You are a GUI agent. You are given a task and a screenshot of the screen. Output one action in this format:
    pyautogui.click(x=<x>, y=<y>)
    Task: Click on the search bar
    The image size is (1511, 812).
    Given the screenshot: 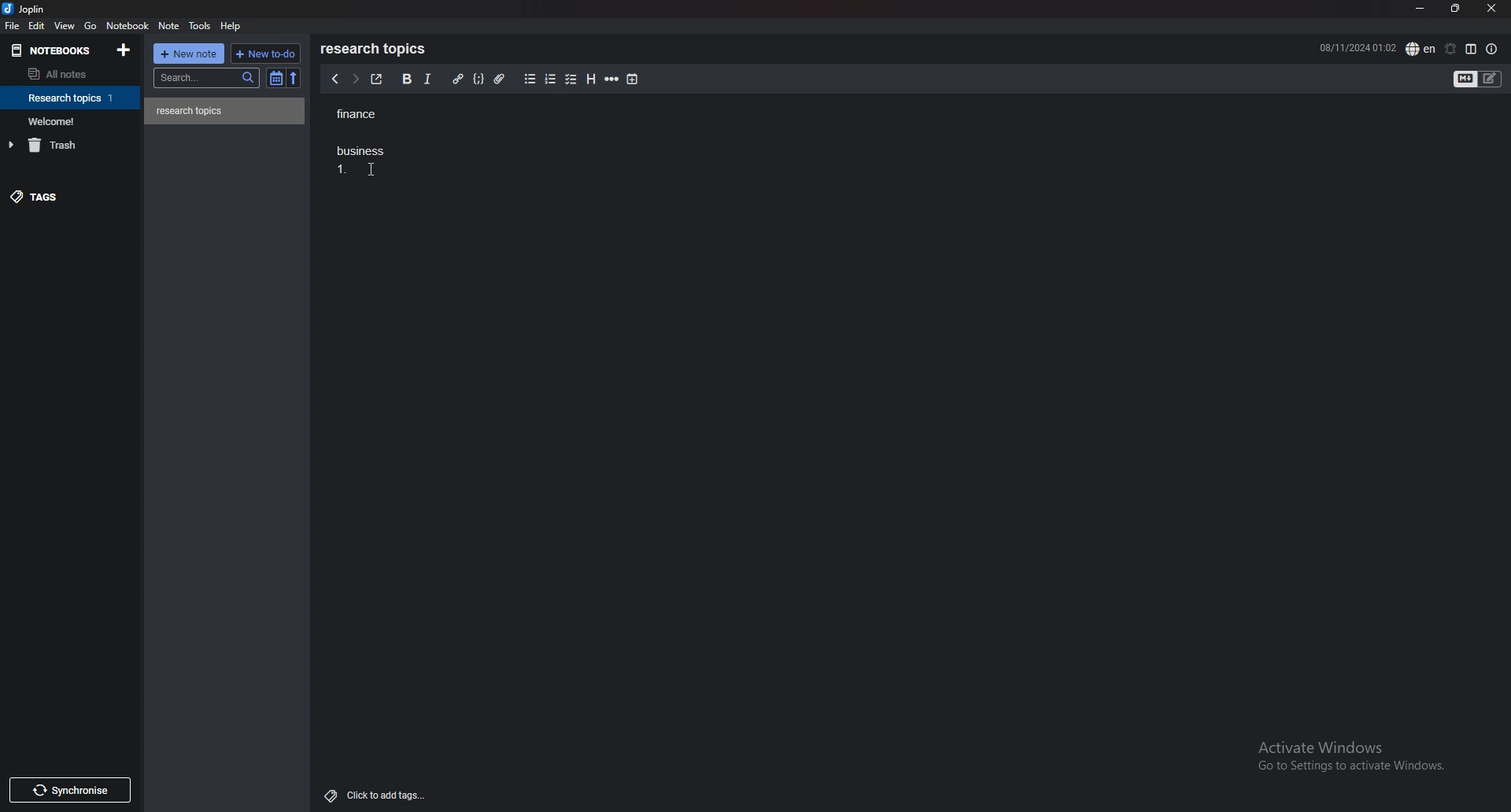 What is the action you would take?
    pyautogui.click(x=208, y=77)
    